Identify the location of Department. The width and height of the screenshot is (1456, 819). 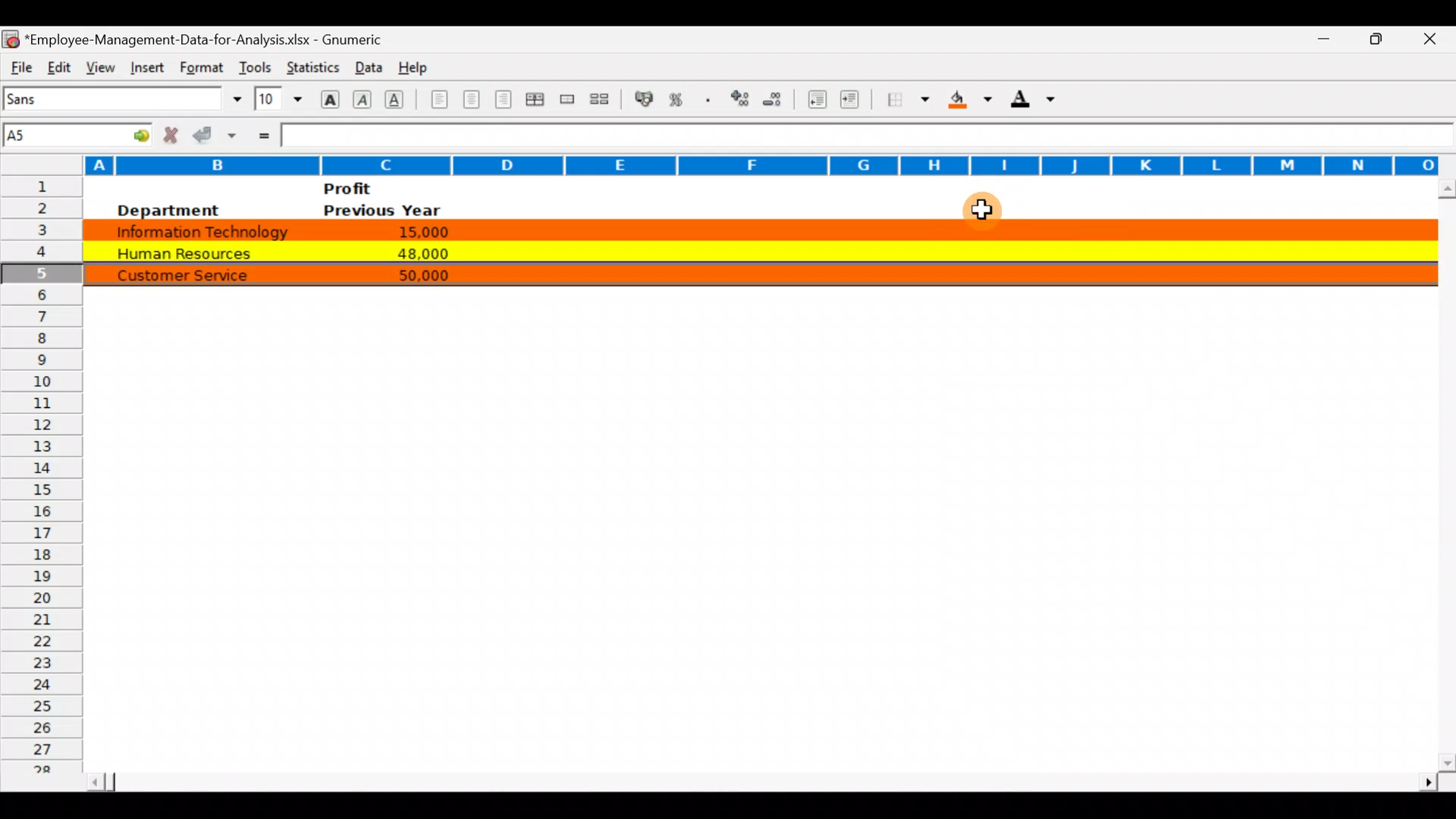
(167, 210).